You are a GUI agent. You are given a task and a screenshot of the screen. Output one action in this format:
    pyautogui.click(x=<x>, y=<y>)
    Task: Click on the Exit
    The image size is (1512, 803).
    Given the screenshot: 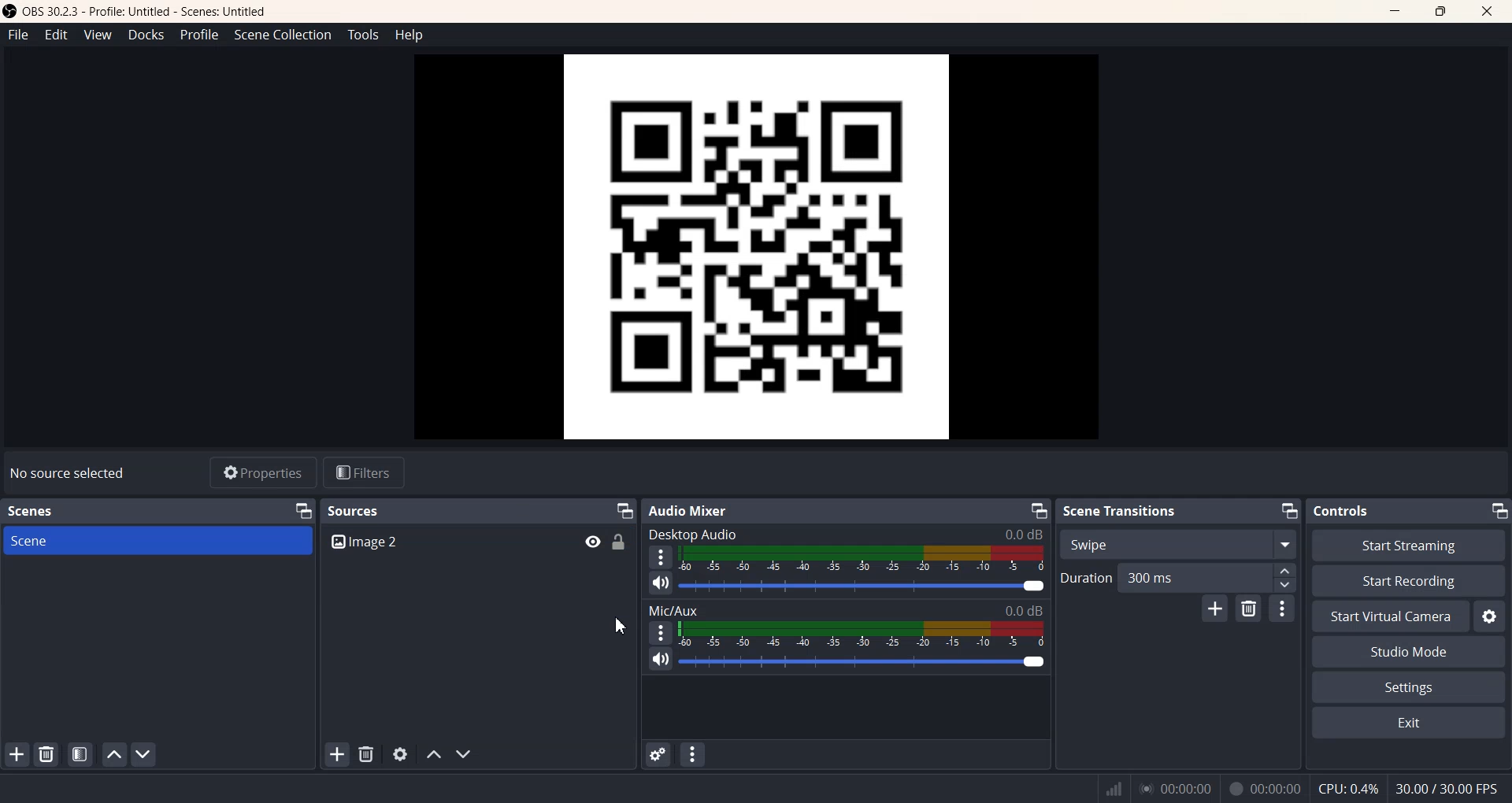 What is the action you would take?
    pyautogui.click(x=1410, y=724)
    